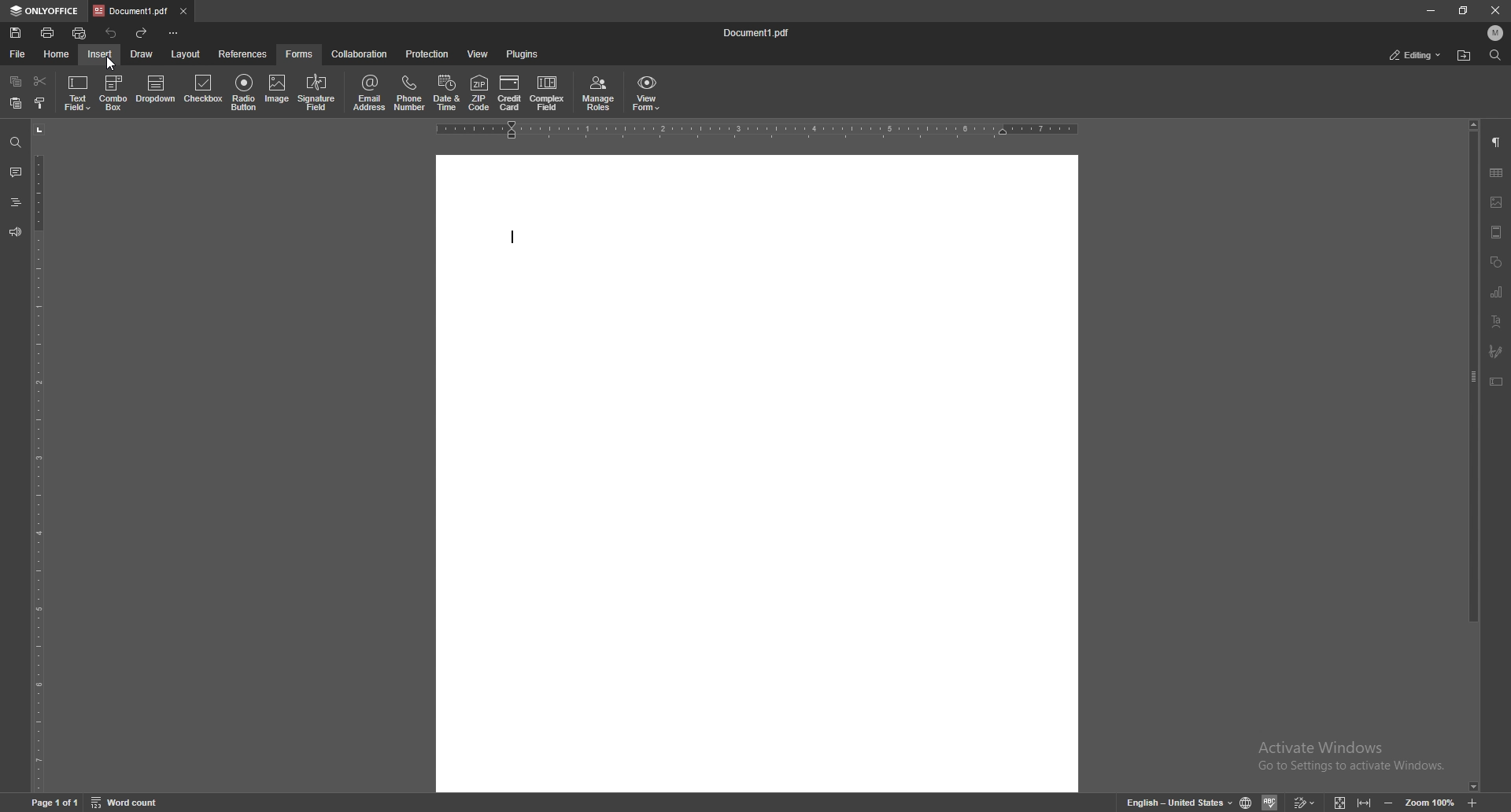  Describe the element at coordinates (14, 141) in the screenshot. I see `find` at that location.